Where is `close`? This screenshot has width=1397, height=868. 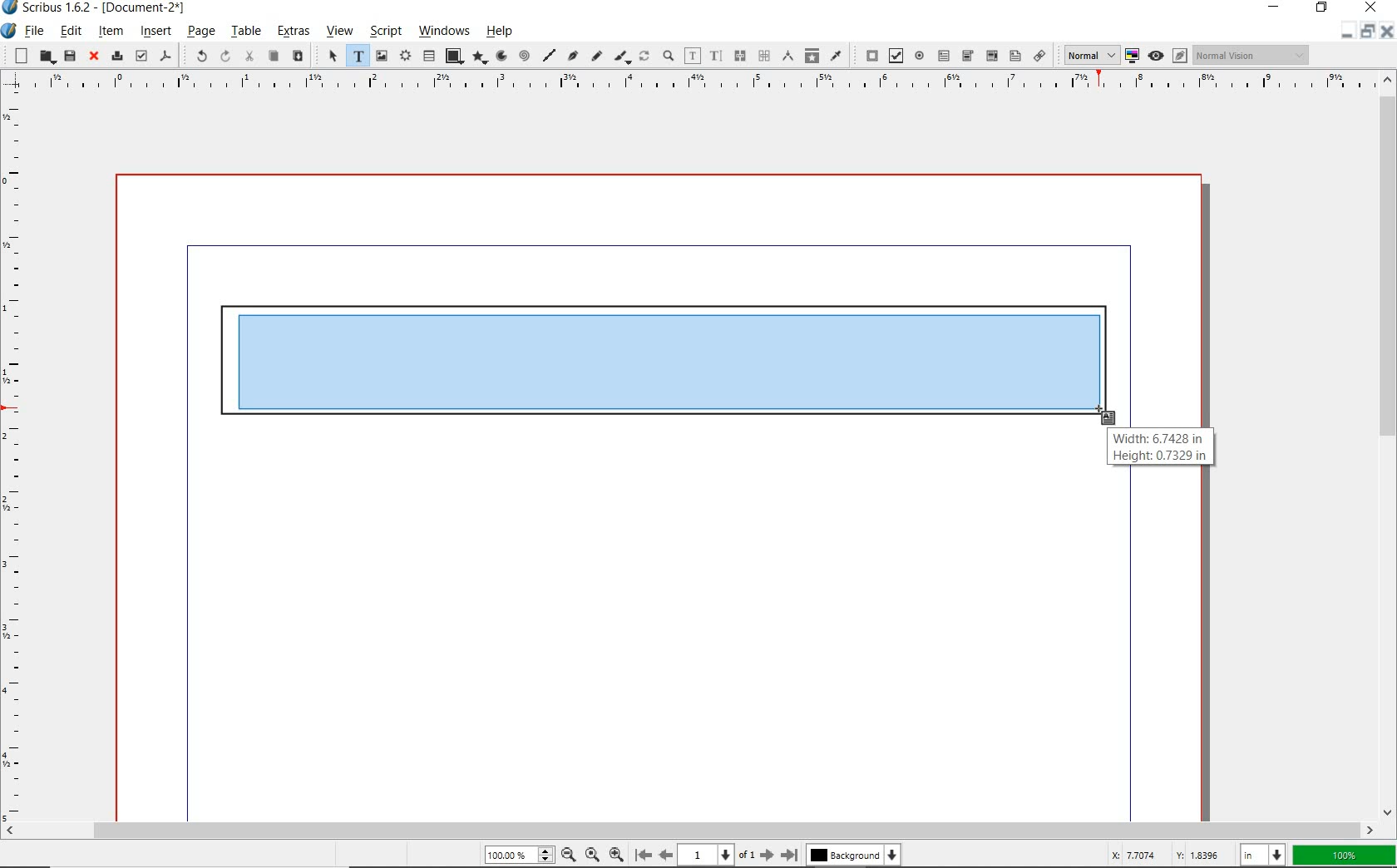 close is located at coordinates (1370, 8).